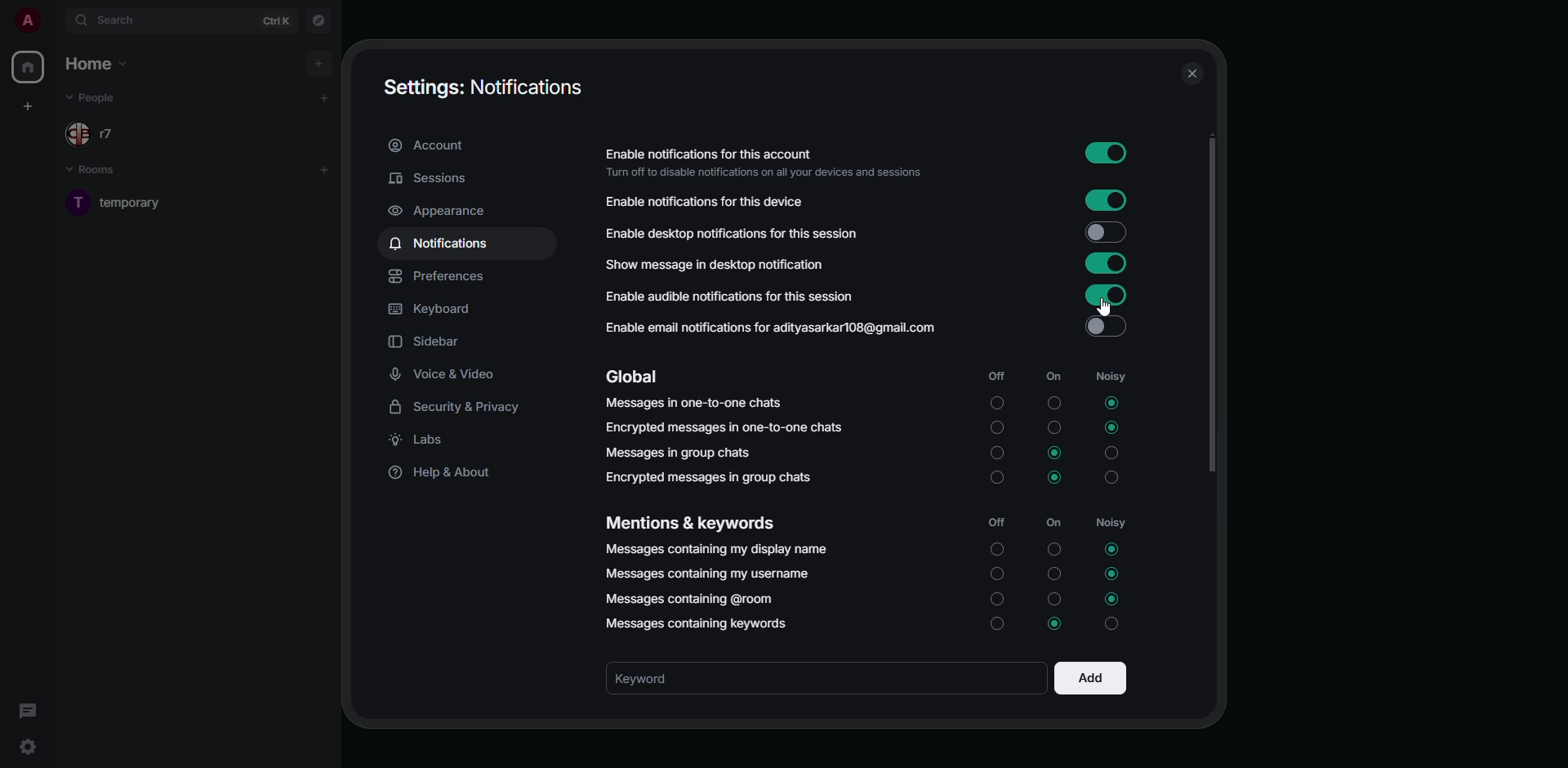 This screenshot has height=768, width=1568. Describe the element at coordinates (689, 600) in the screenshot. I see `messages containing @room` at that location.